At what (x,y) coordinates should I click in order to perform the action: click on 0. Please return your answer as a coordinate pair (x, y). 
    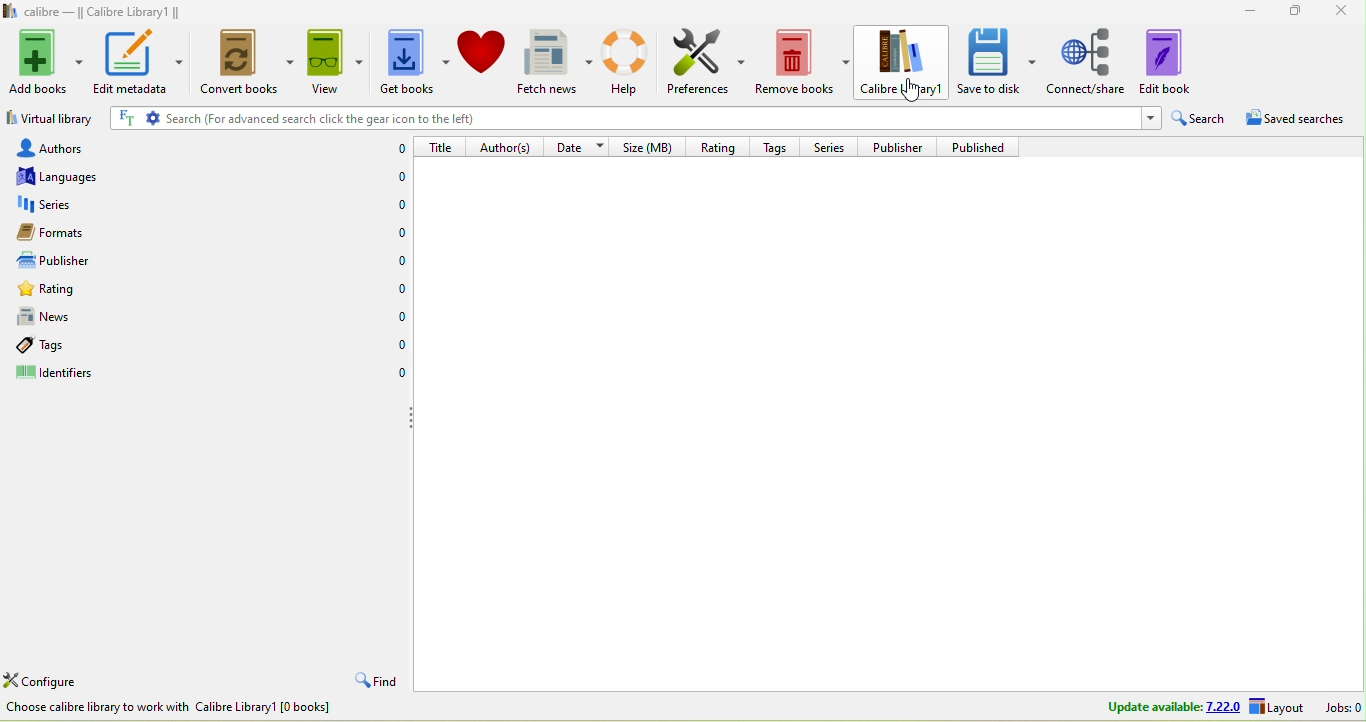
    Looking at the image, I should click on (396, 346).